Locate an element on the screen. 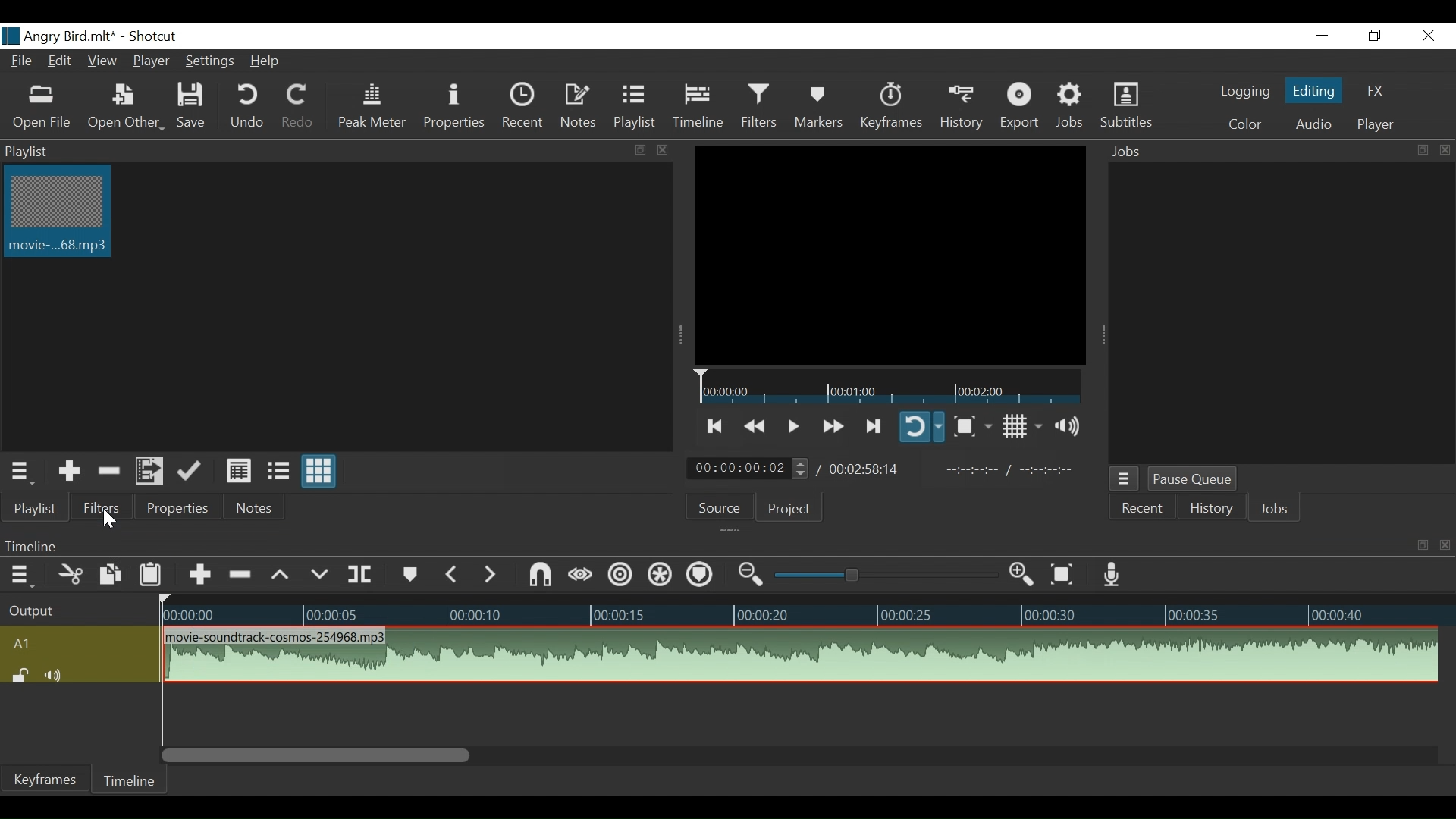  Timeline is located at coordinates (128, 780).